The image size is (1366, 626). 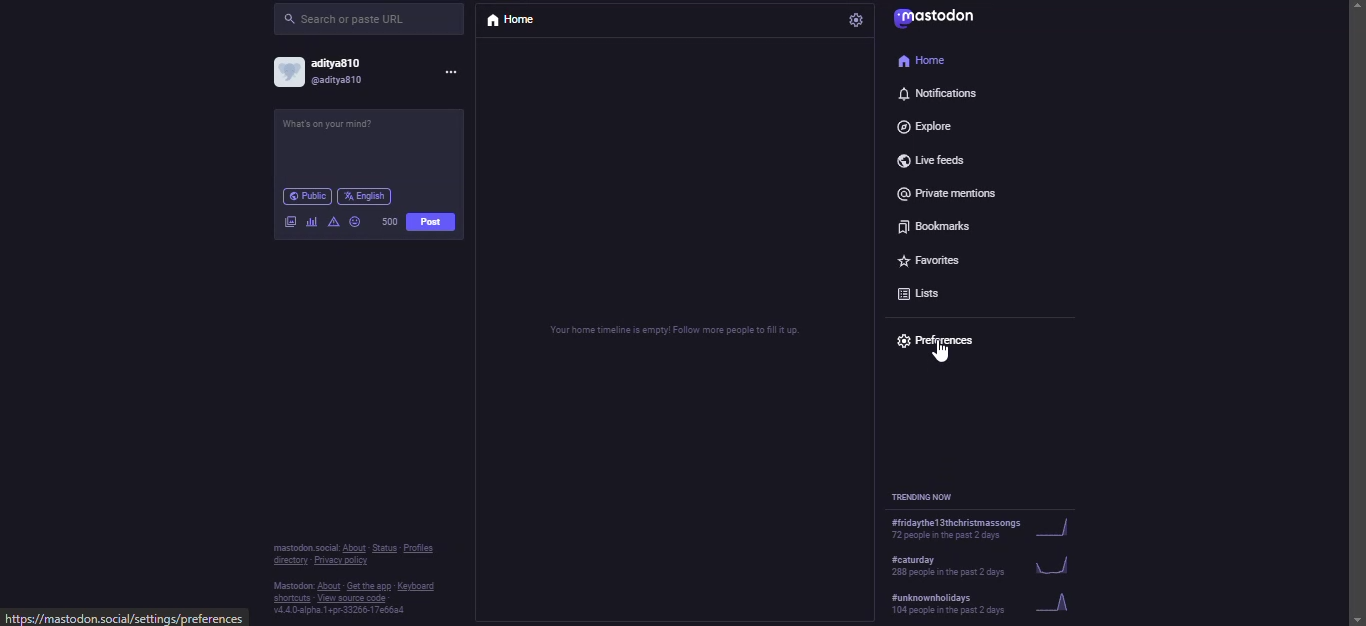 What do you see at coordinates (949, 192) in the screenshot?
I see `private mentions` at bounding box center [949, 192].